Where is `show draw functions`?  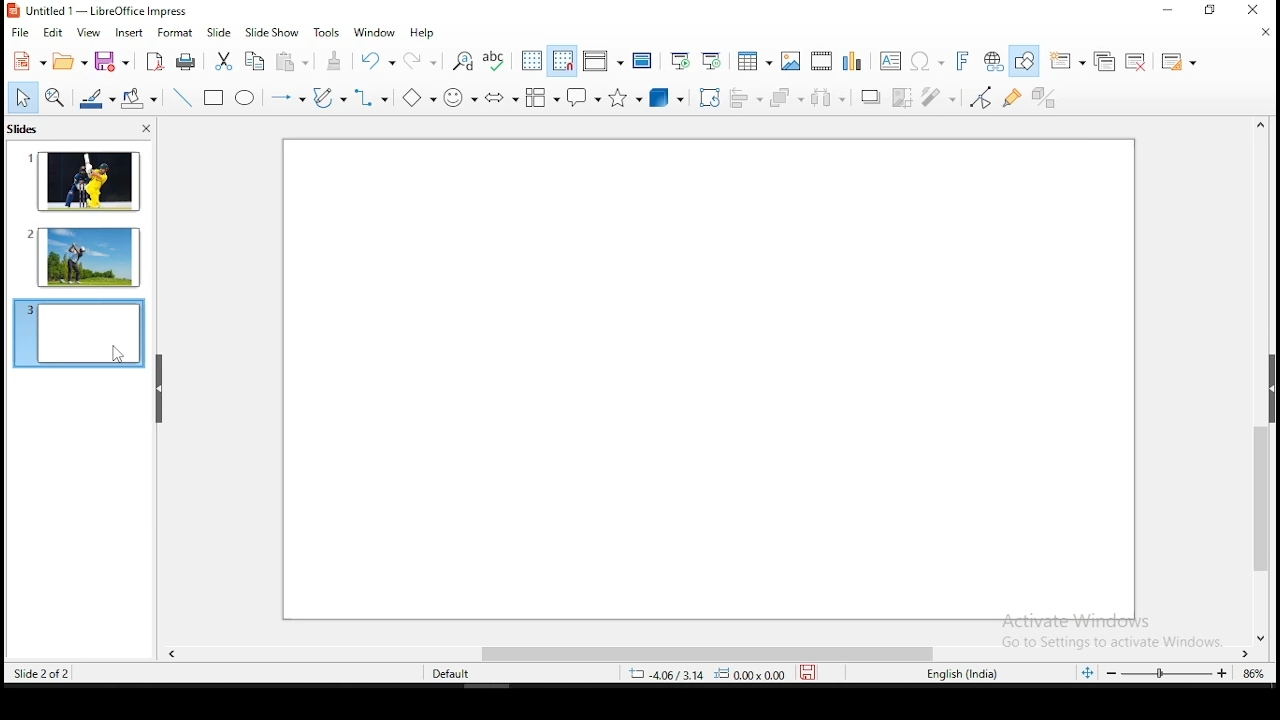
show draw functions is located at coordinates (1024, 63).